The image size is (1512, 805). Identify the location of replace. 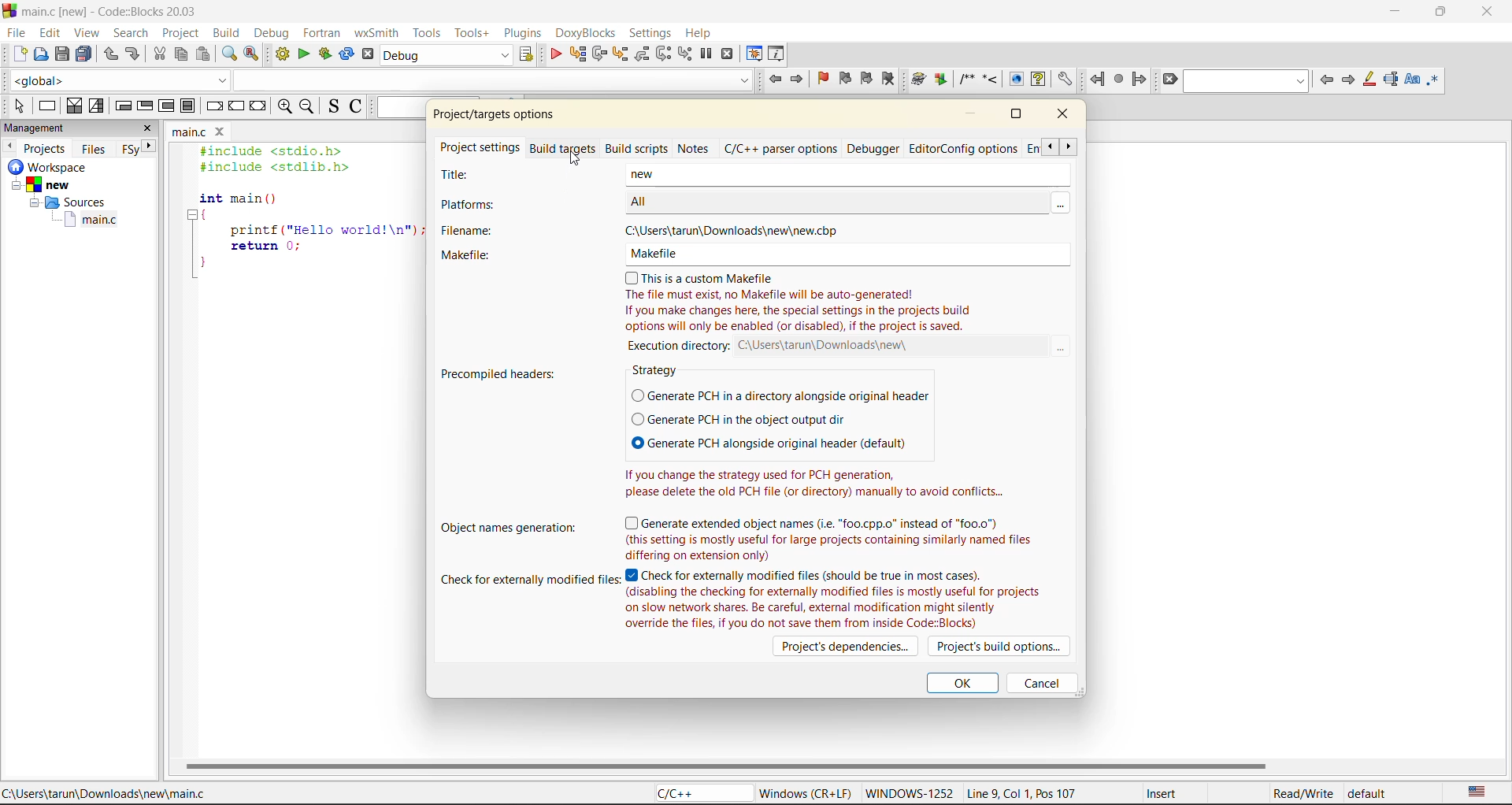
(251, 52).